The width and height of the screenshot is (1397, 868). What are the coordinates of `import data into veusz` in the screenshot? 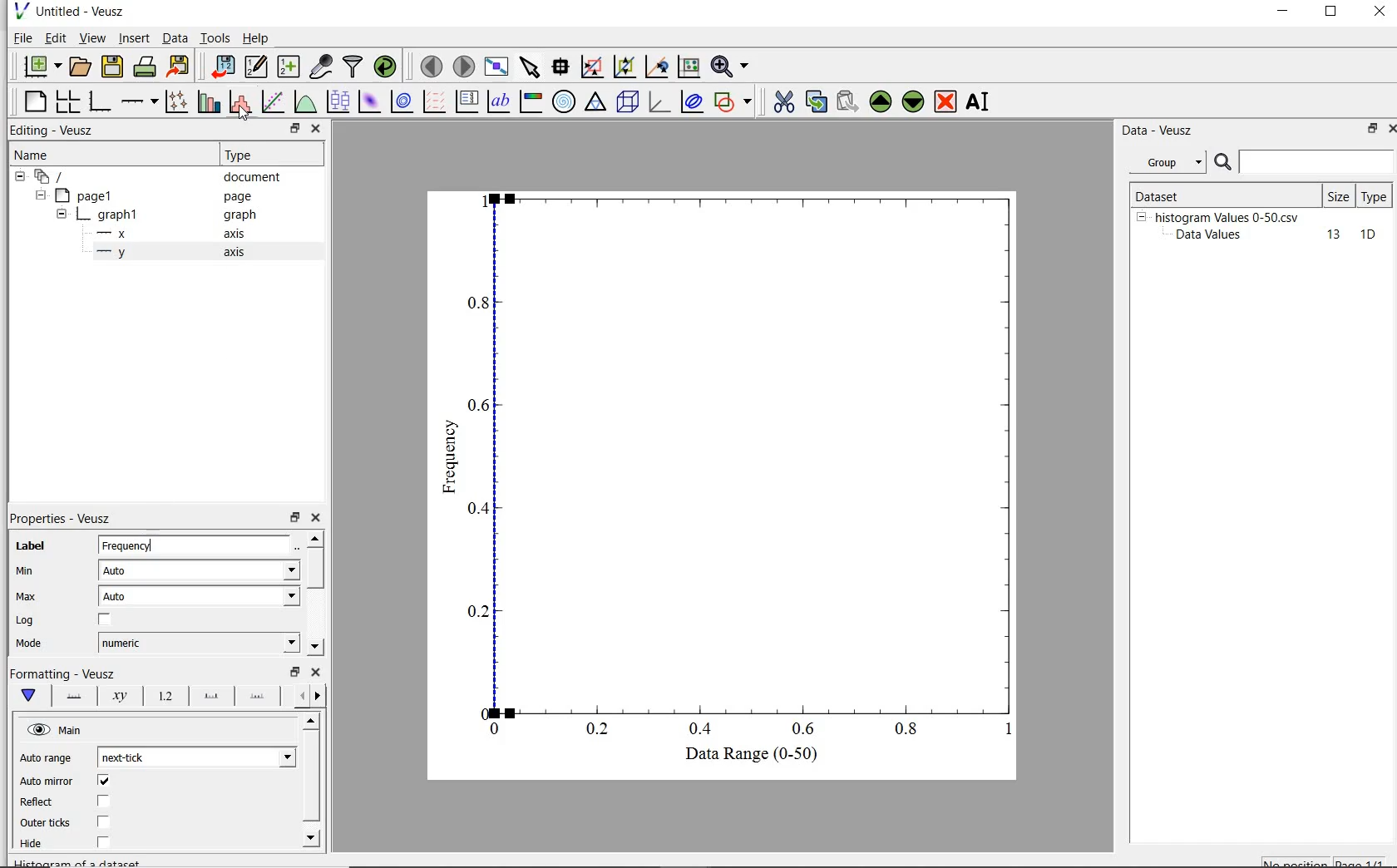 It's located at (225, 67).